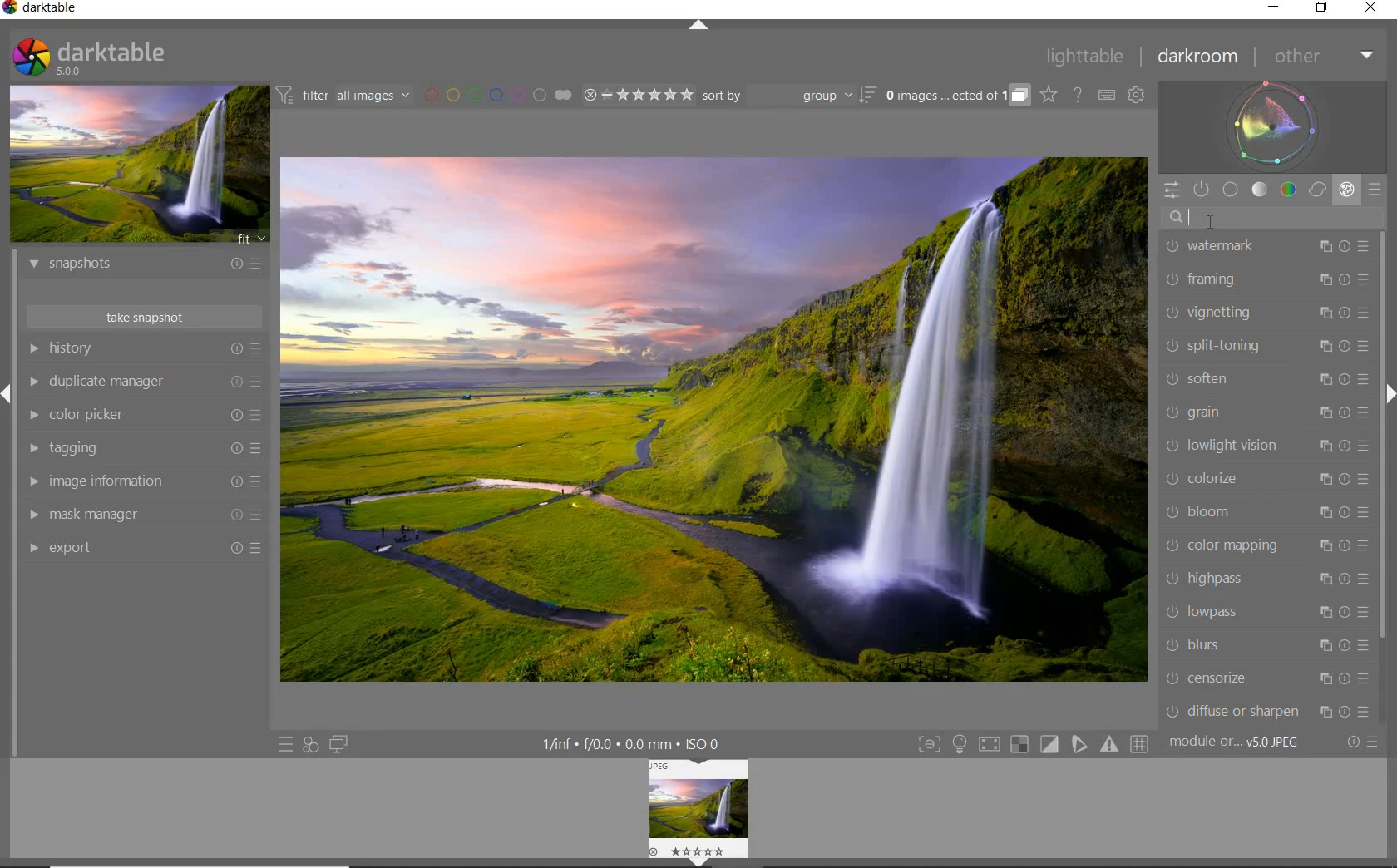 Image resolution: width=1397 pixels, height=868 pixels. I want to click on image information, so click(143, 481).